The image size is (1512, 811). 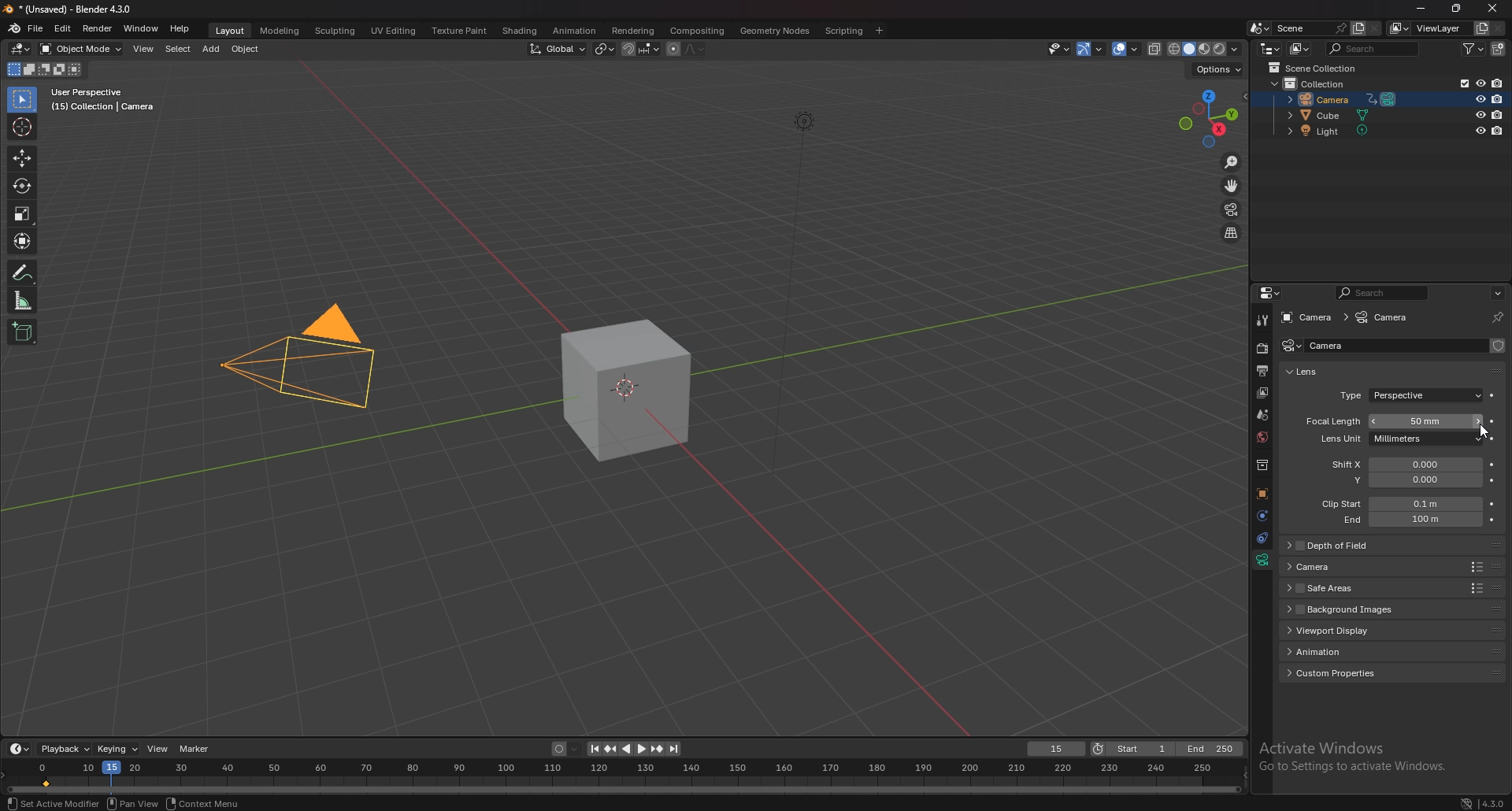 I want to click on data, so click(x=1262, y=560).